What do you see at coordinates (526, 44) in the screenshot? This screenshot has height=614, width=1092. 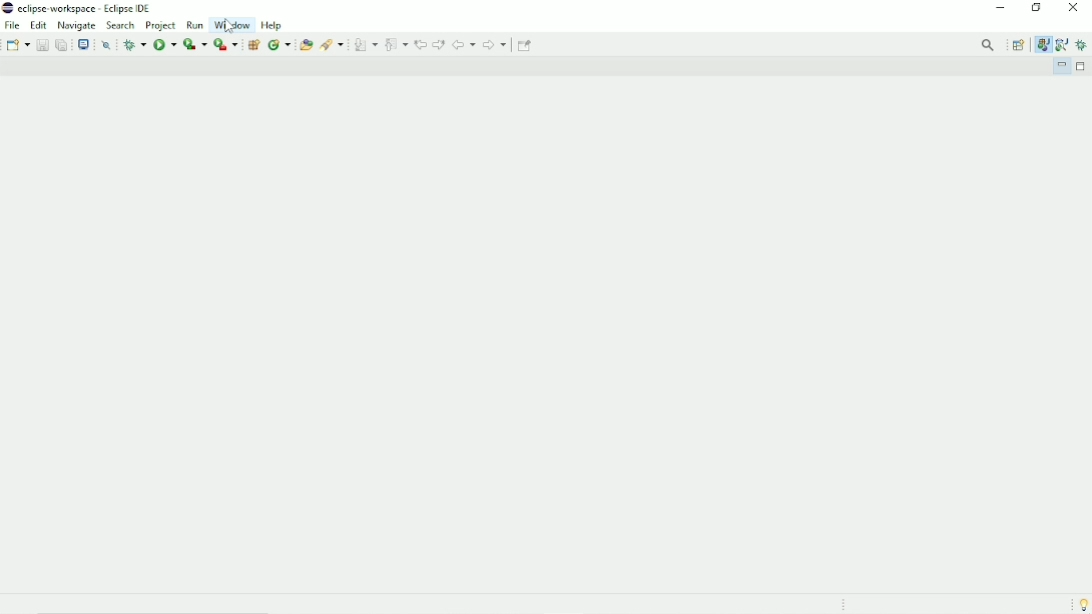 I see `Pin Editor` at bounding box center [526, 44].